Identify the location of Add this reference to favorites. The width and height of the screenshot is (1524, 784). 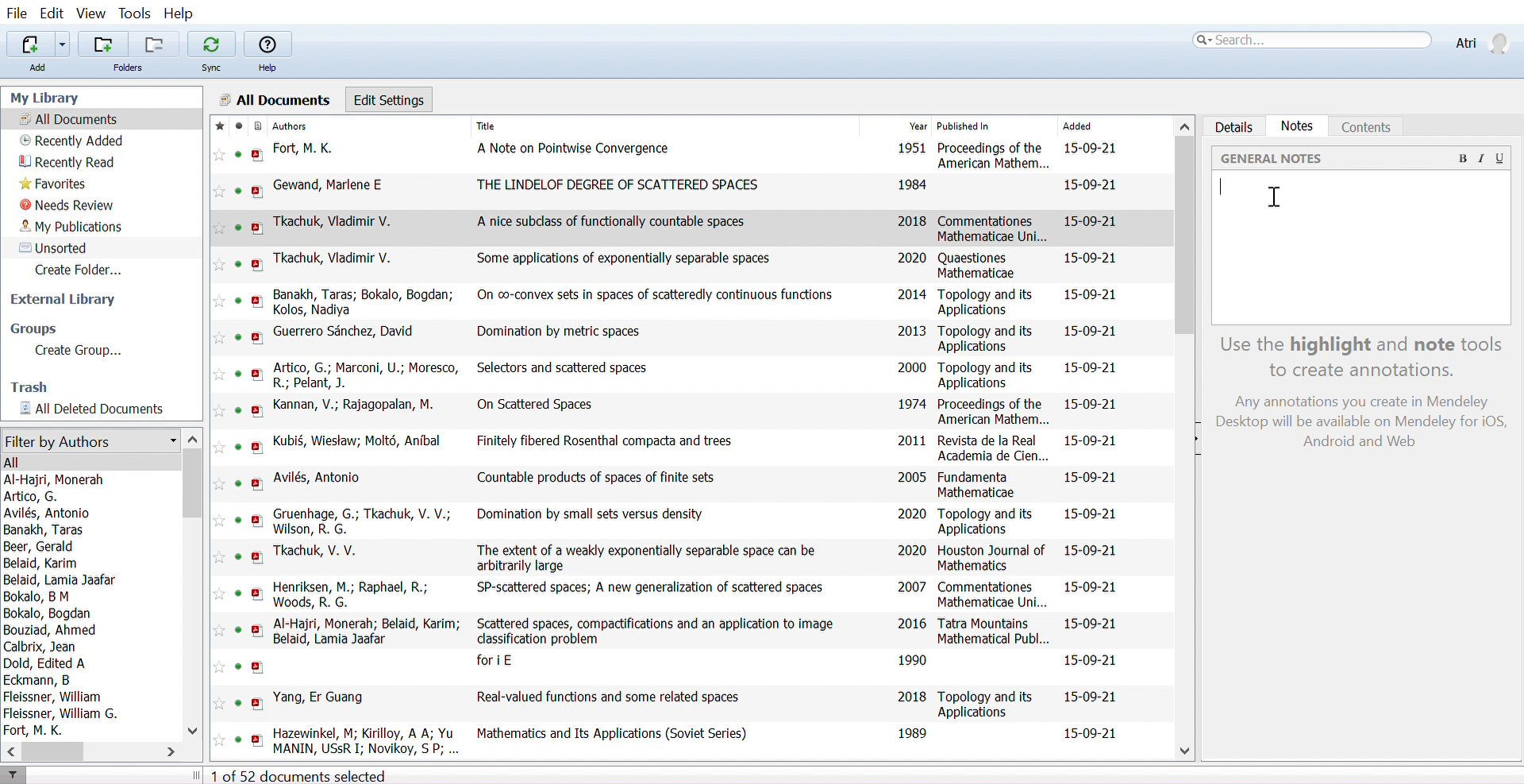
(220, 337).